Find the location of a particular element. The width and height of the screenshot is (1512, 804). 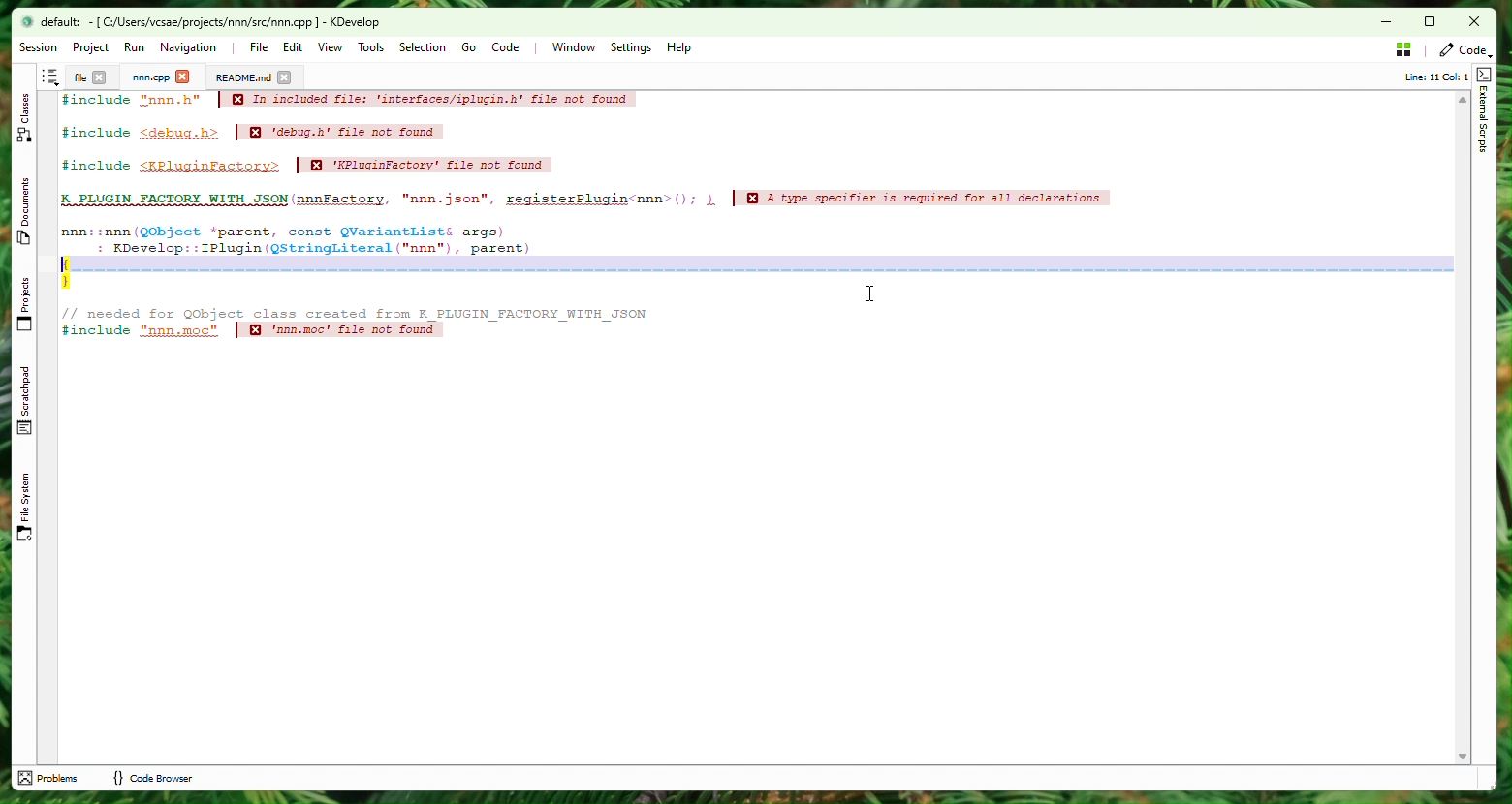

Go is located at coordinates (469, 47).